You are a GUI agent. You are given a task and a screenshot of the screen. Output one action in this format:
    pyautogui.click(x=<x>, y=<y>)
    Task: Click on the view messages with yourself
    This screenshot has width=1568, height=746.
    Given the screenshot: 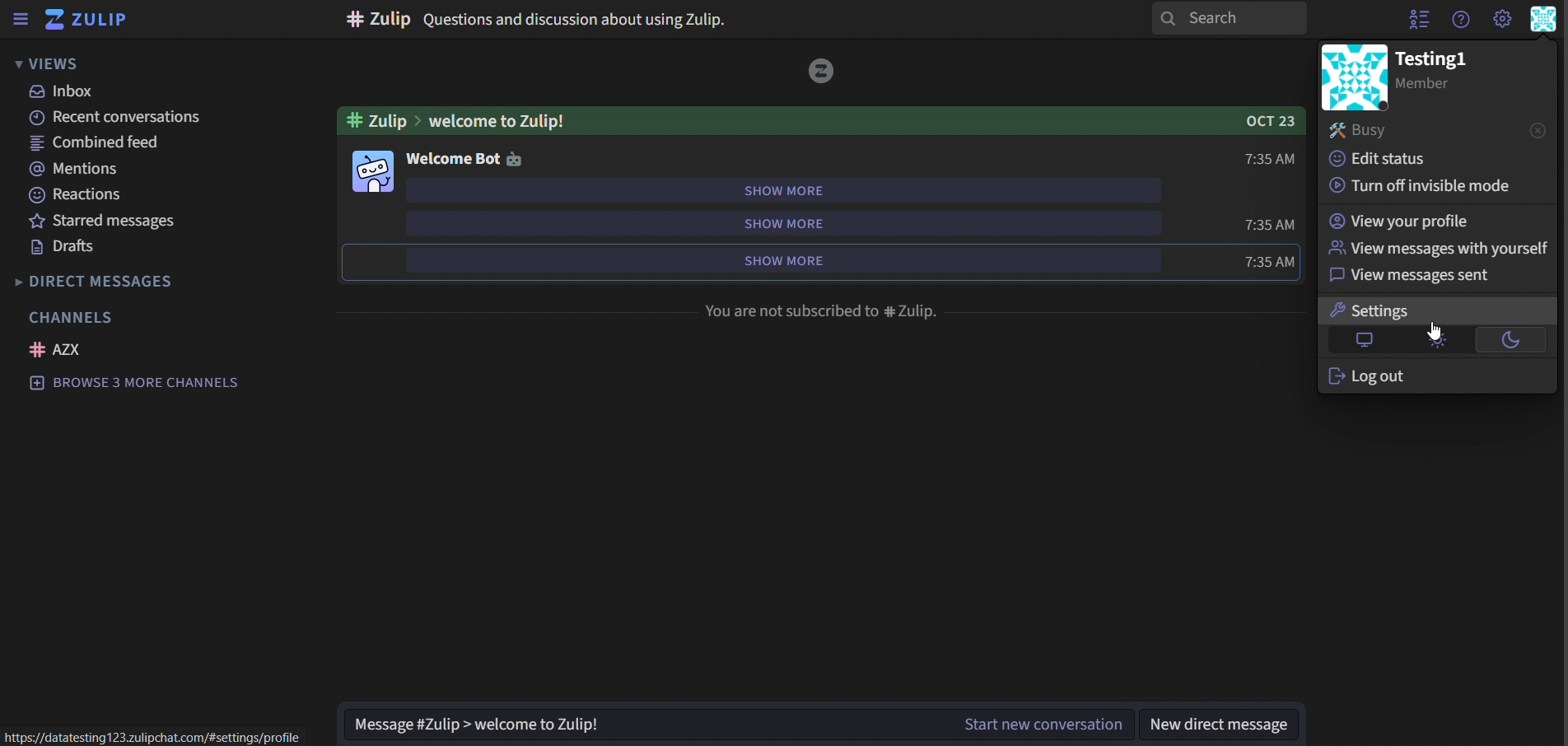 What is the action you would take?
    pyautogui.click(x=1438, y=250)
    